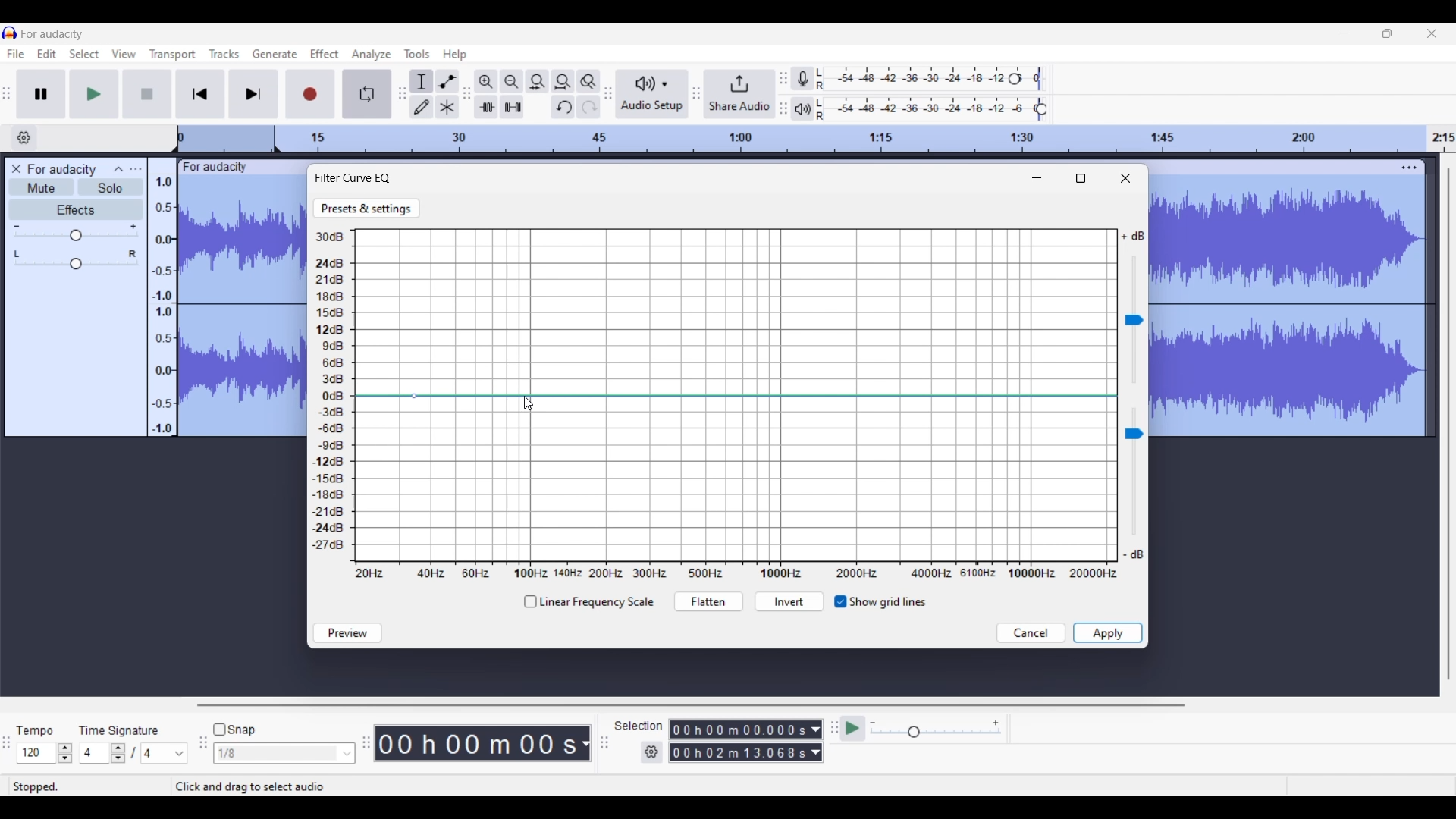  Describe the element at coordinates (1134, 472) in the screenshot. I see `Chnage sound` at that location.